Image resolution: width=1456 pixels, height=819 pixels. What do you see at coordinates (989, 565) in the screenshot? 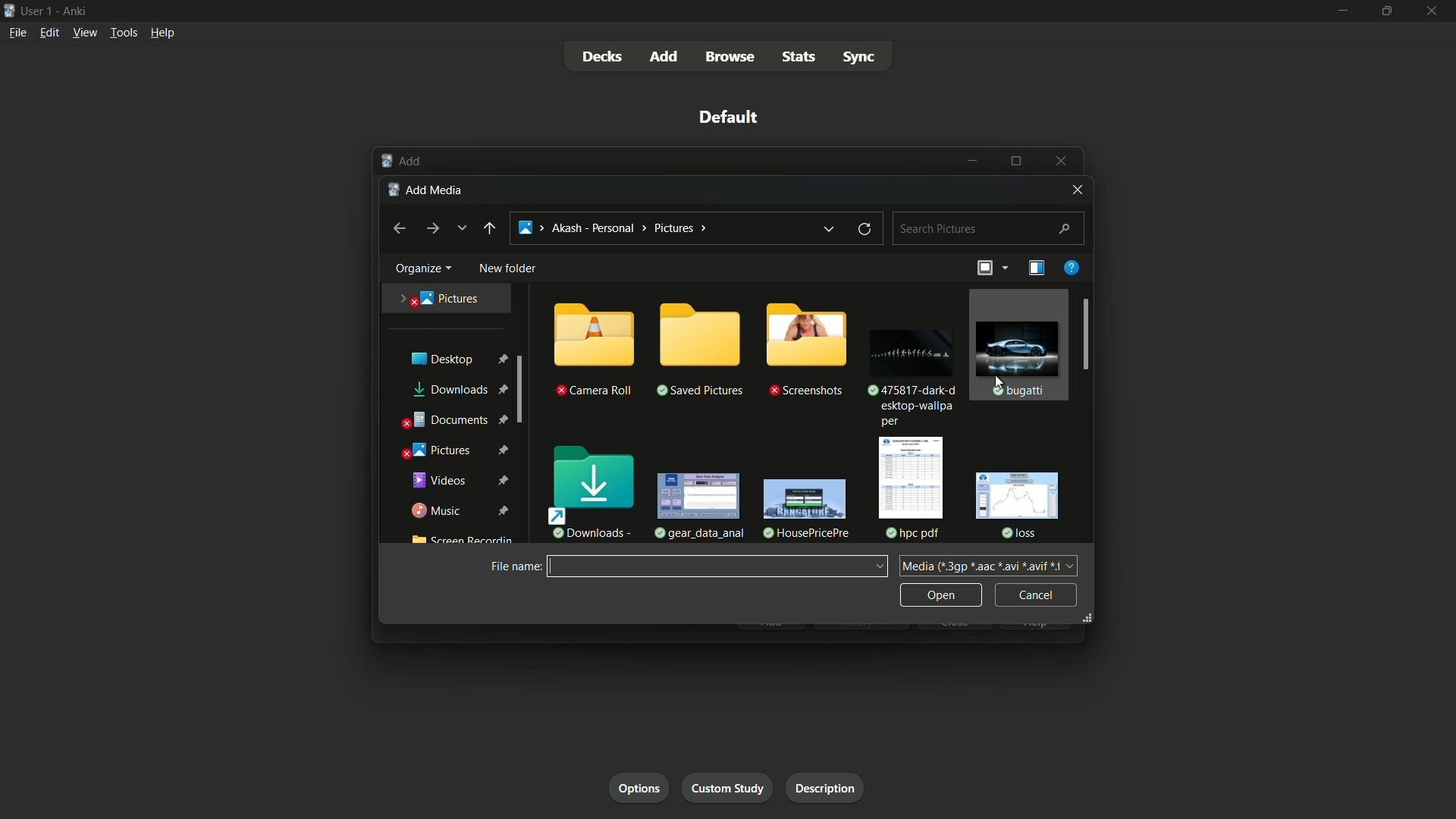
I see `Media (*3gp *.aac *avi *.avif 1 +` at bounding box center [989, 565].